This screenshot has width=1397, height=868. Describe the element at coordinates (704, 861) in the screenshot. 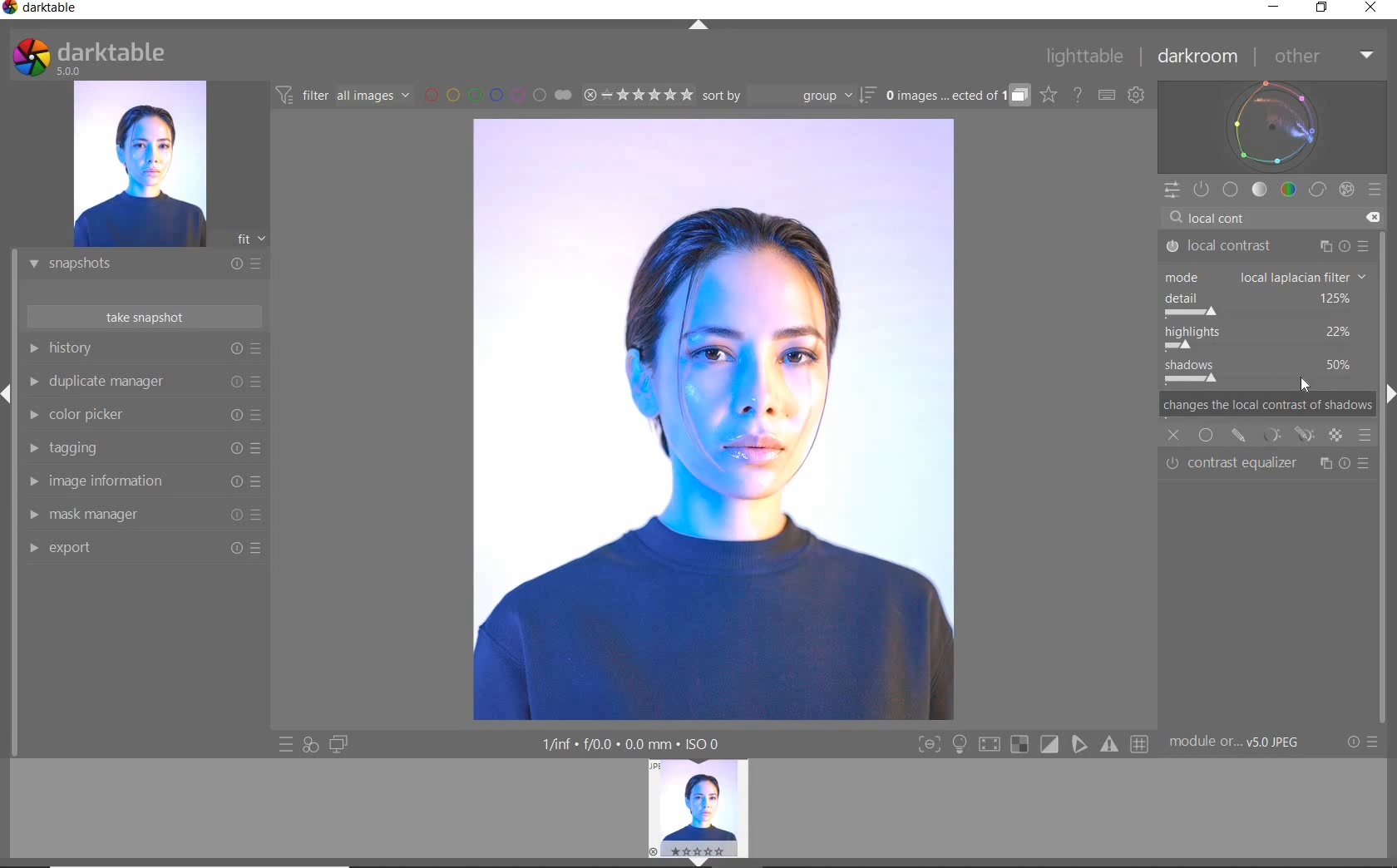

I see `EXPAND/COLLAPSE` at that location.